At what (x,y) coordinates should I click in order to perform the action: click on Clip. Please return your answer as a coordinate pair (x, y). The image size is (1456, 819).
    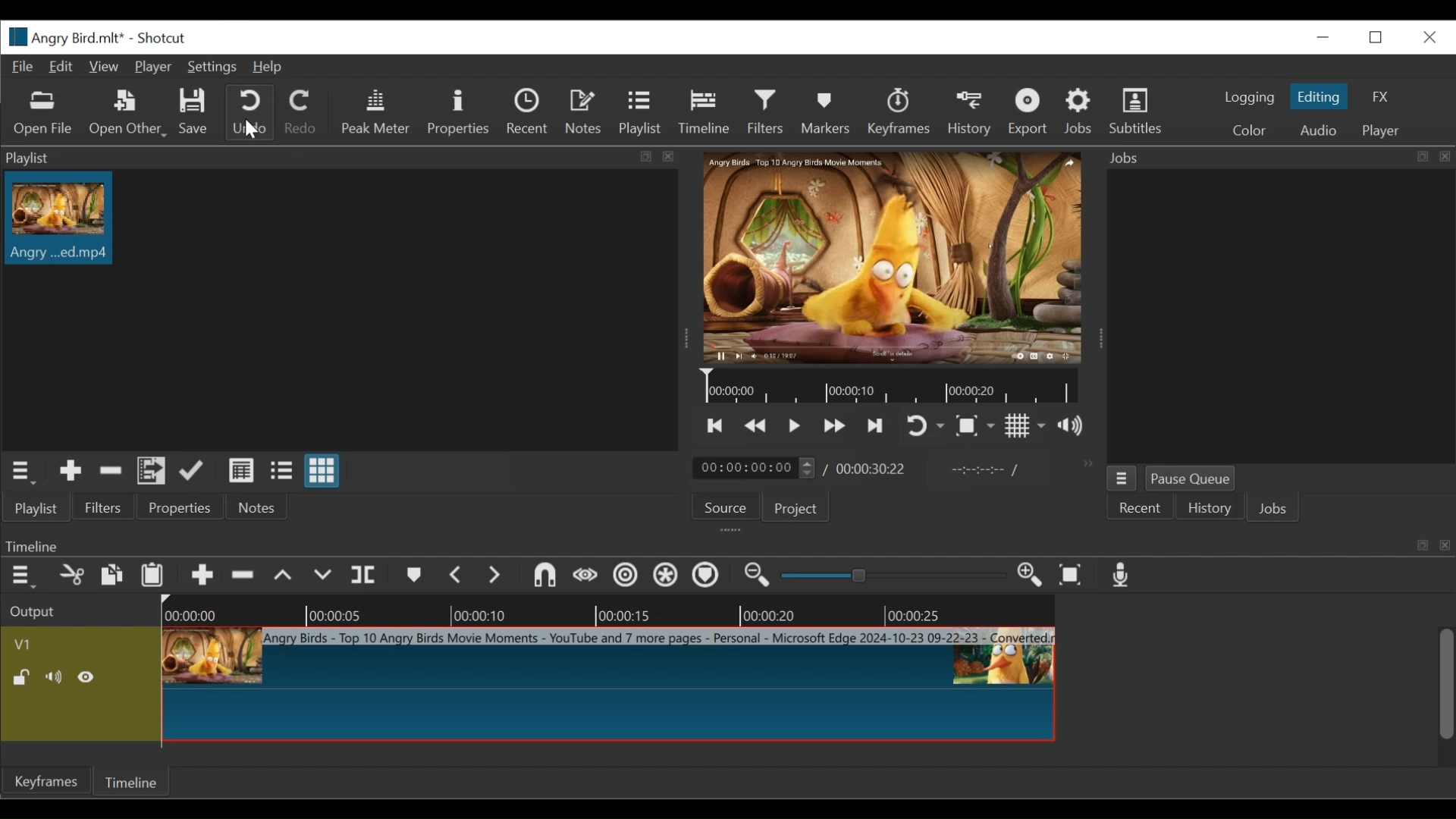
    Looking at the image, I should click on (64, 218).